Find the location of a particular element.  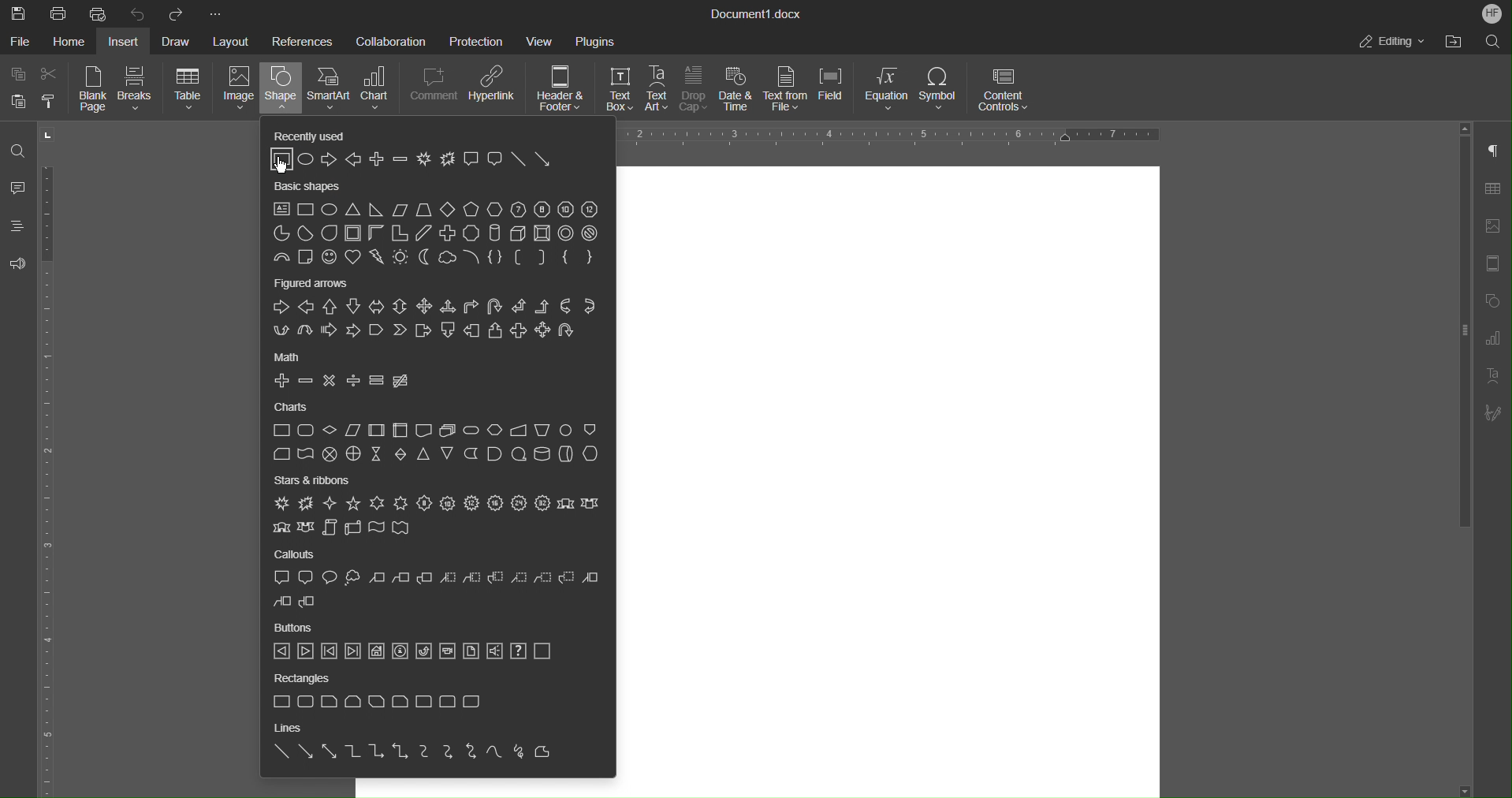

Tables is located at coordinates (1498, 188).